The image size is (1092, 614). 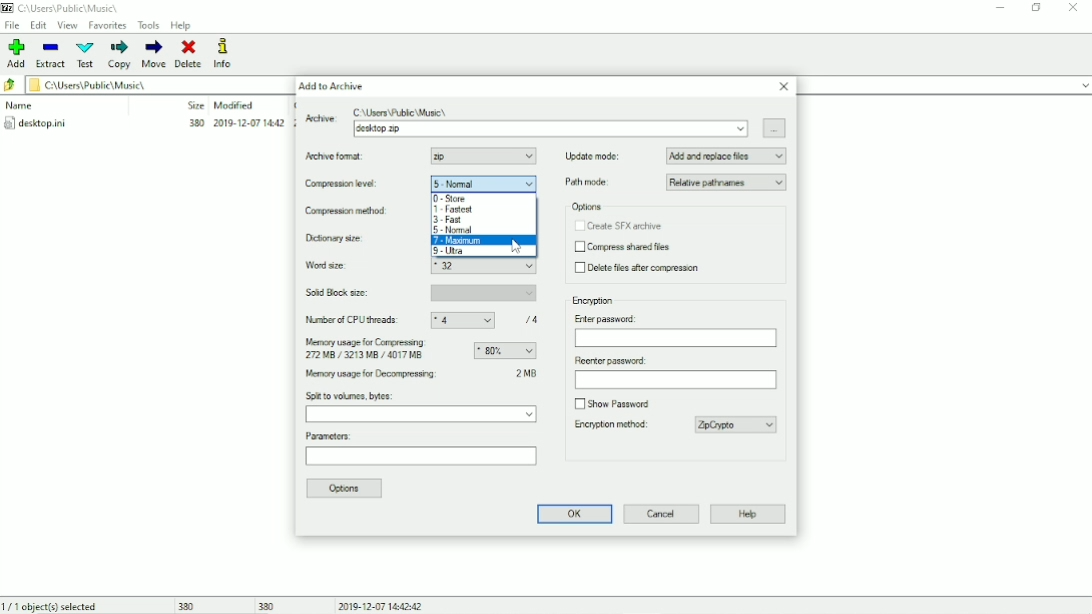 What do you see at coordinates (65, 8) in the screenshot?
I see `Location` at bounding box center [65, 8].